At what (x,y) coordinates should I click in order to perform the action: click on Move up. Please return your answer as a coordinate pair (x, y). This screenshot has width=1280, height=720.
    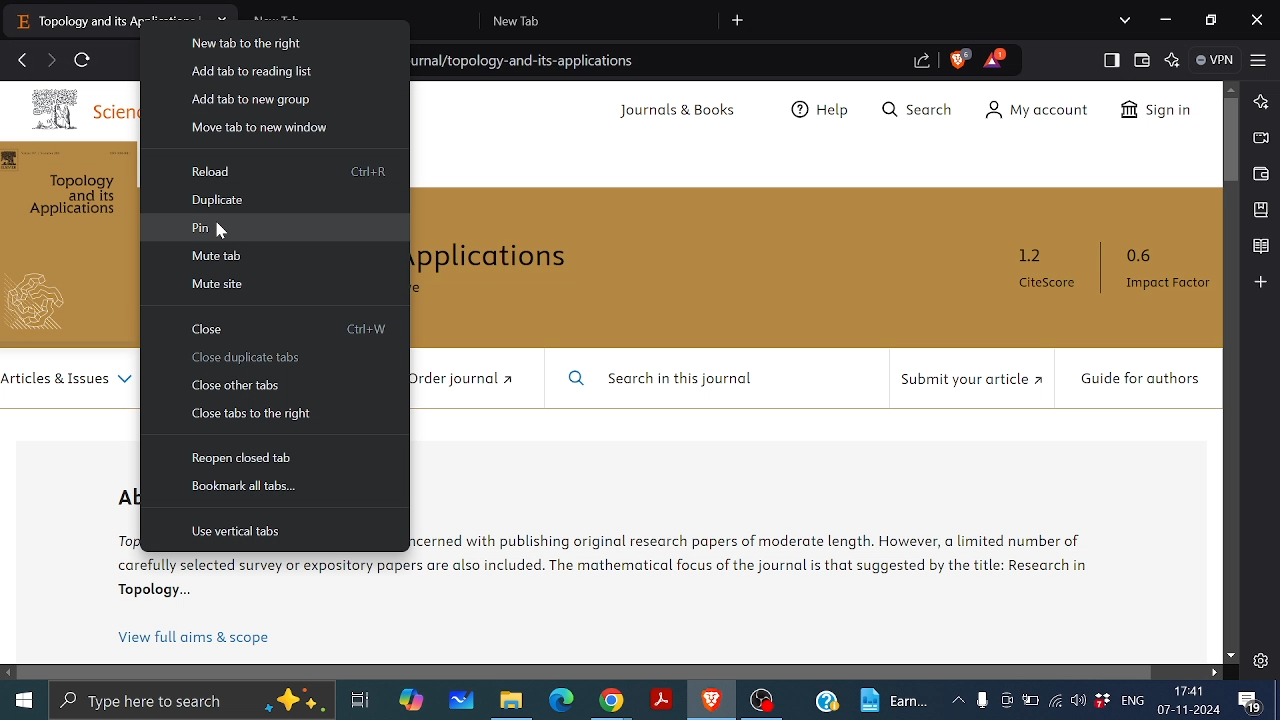
    Looking at the image, I should click on (1234, 88).